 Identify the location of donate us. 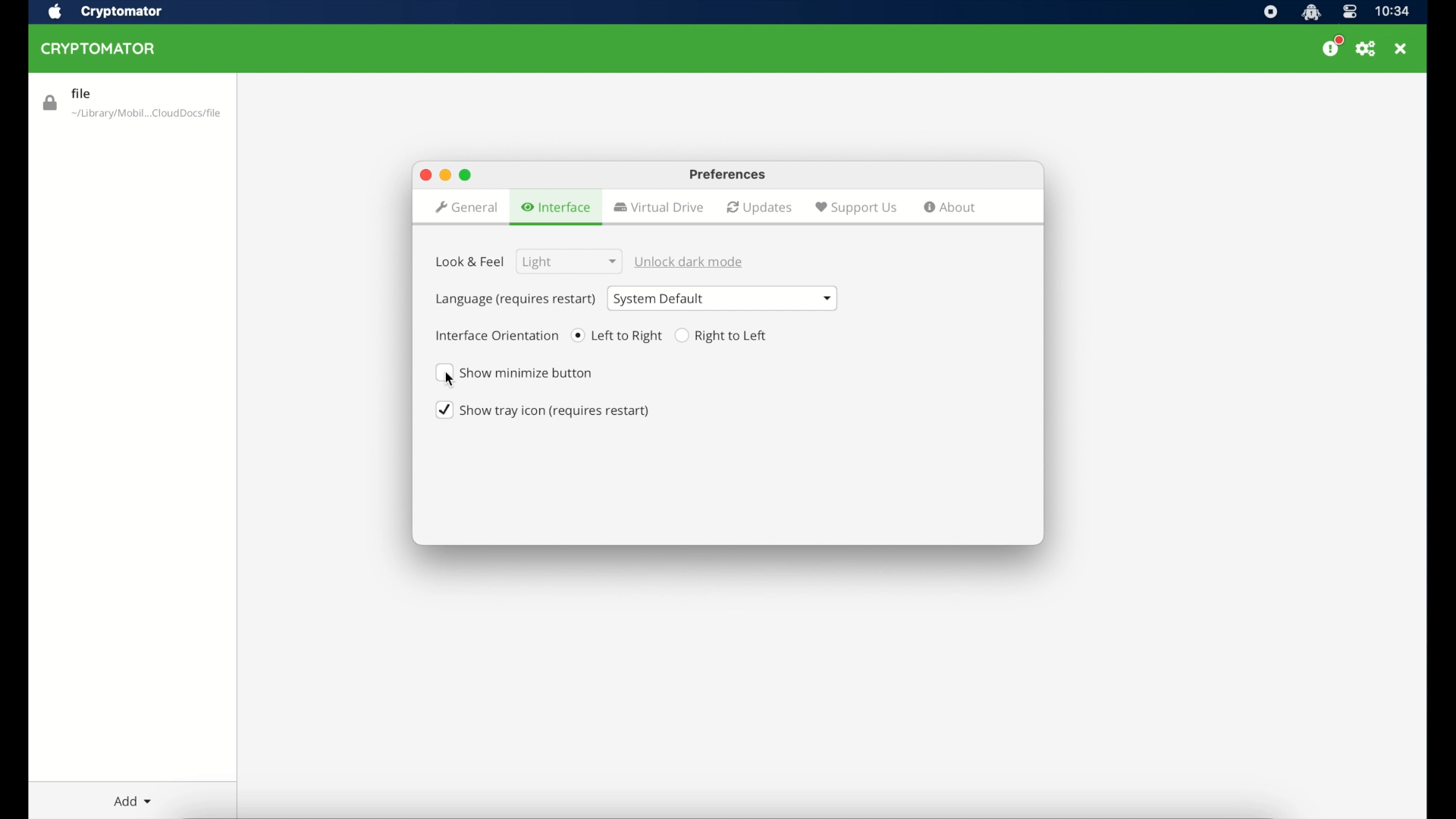
(1332, 48).